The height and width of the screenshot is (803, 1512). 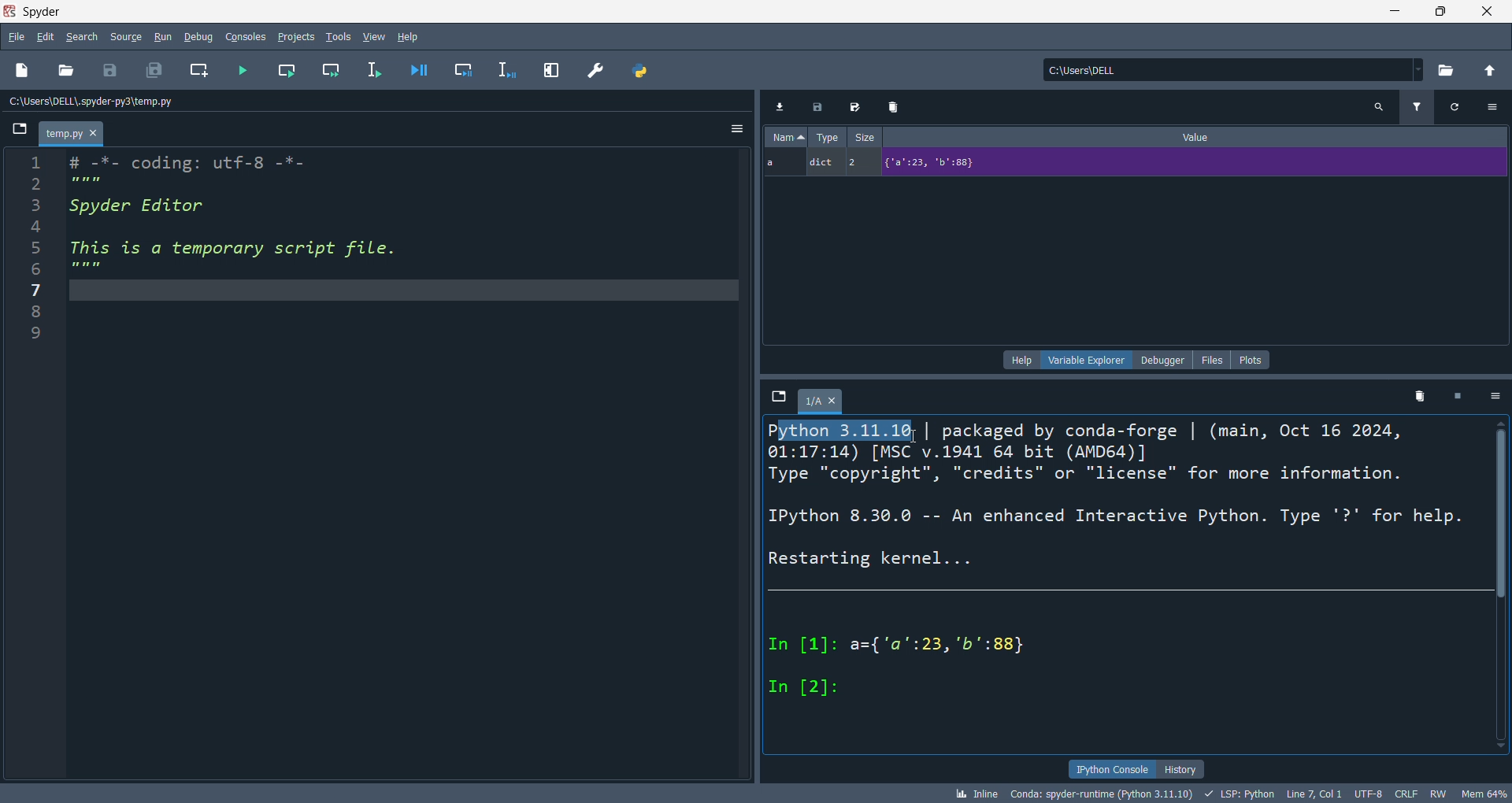 What do you see at coordinates (1109, 768) in the screenshot?
I see `ipython console` at bounding box center [1109, 768].